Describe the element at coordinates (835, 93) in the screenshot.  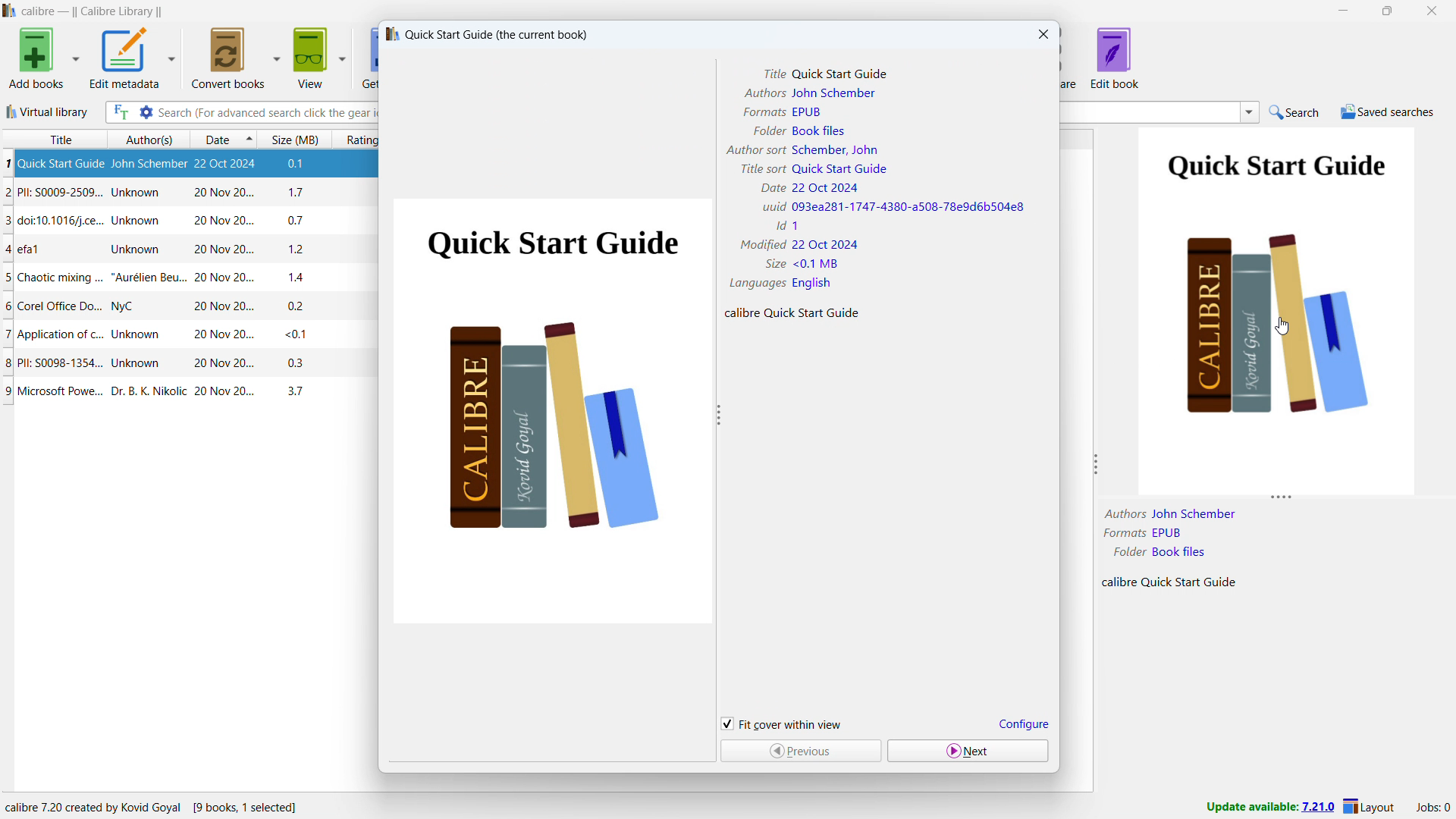
I see `Jhon Schember` at that location.